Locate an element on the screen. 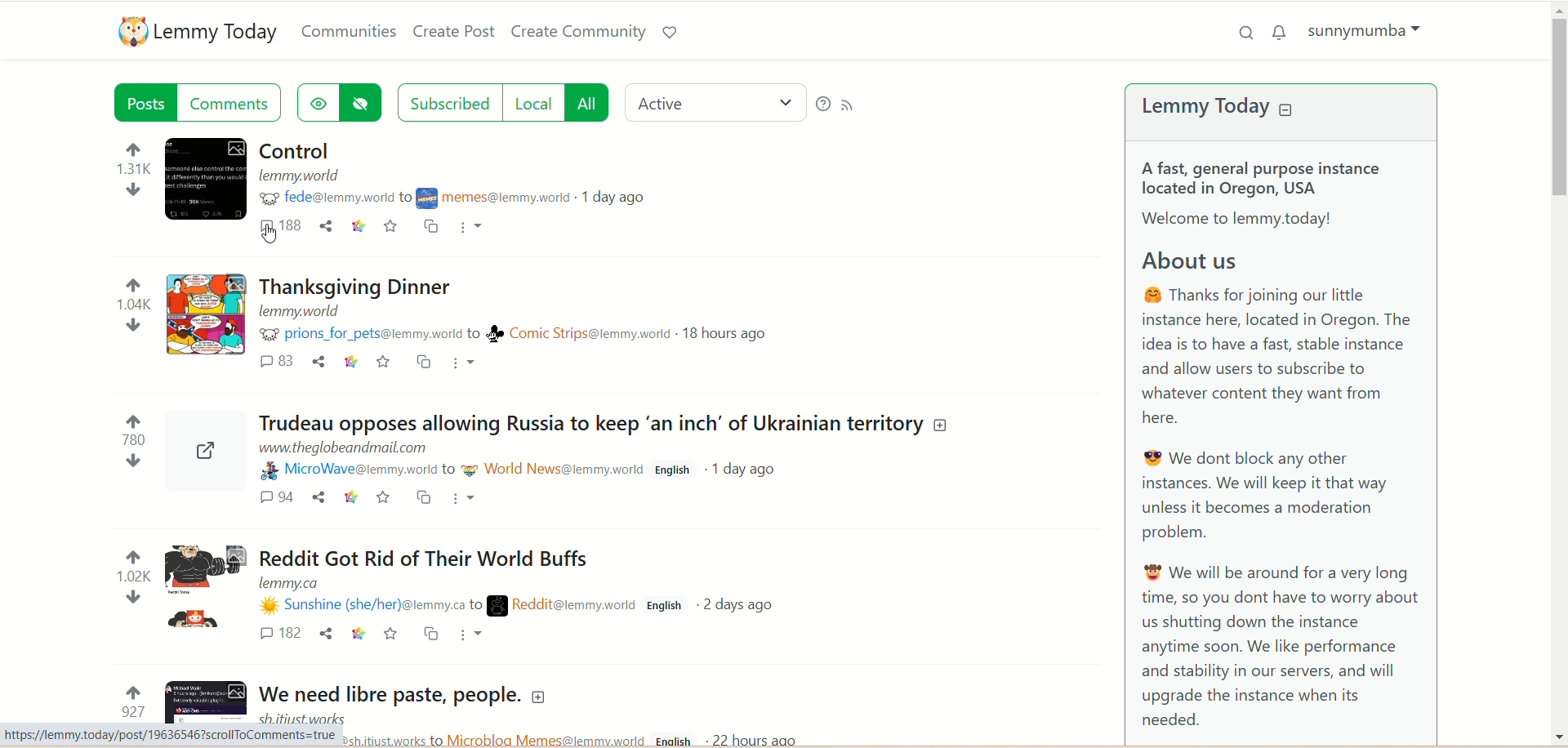 The height and width of the screenshot is (748, 1568). Post on "We need libre paste, people." is located at coordinates (404, 695).